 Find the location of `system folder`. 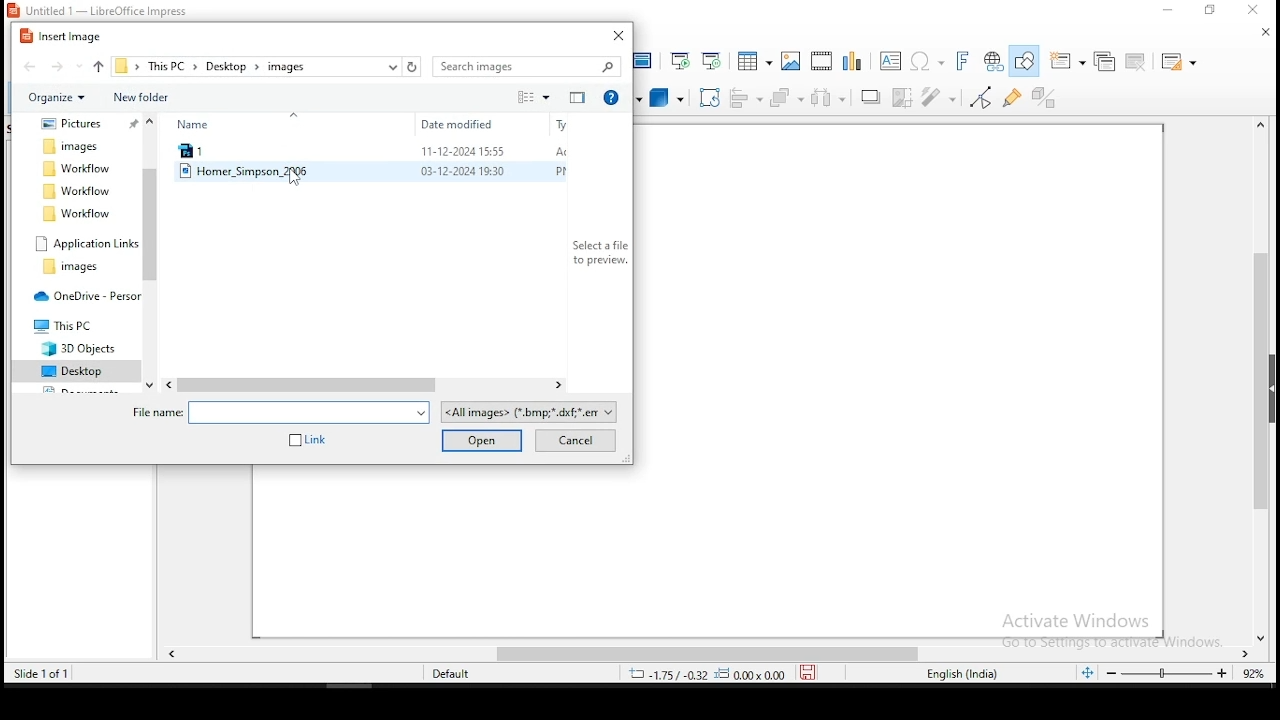

system folder is located at coordinates (87, 124).